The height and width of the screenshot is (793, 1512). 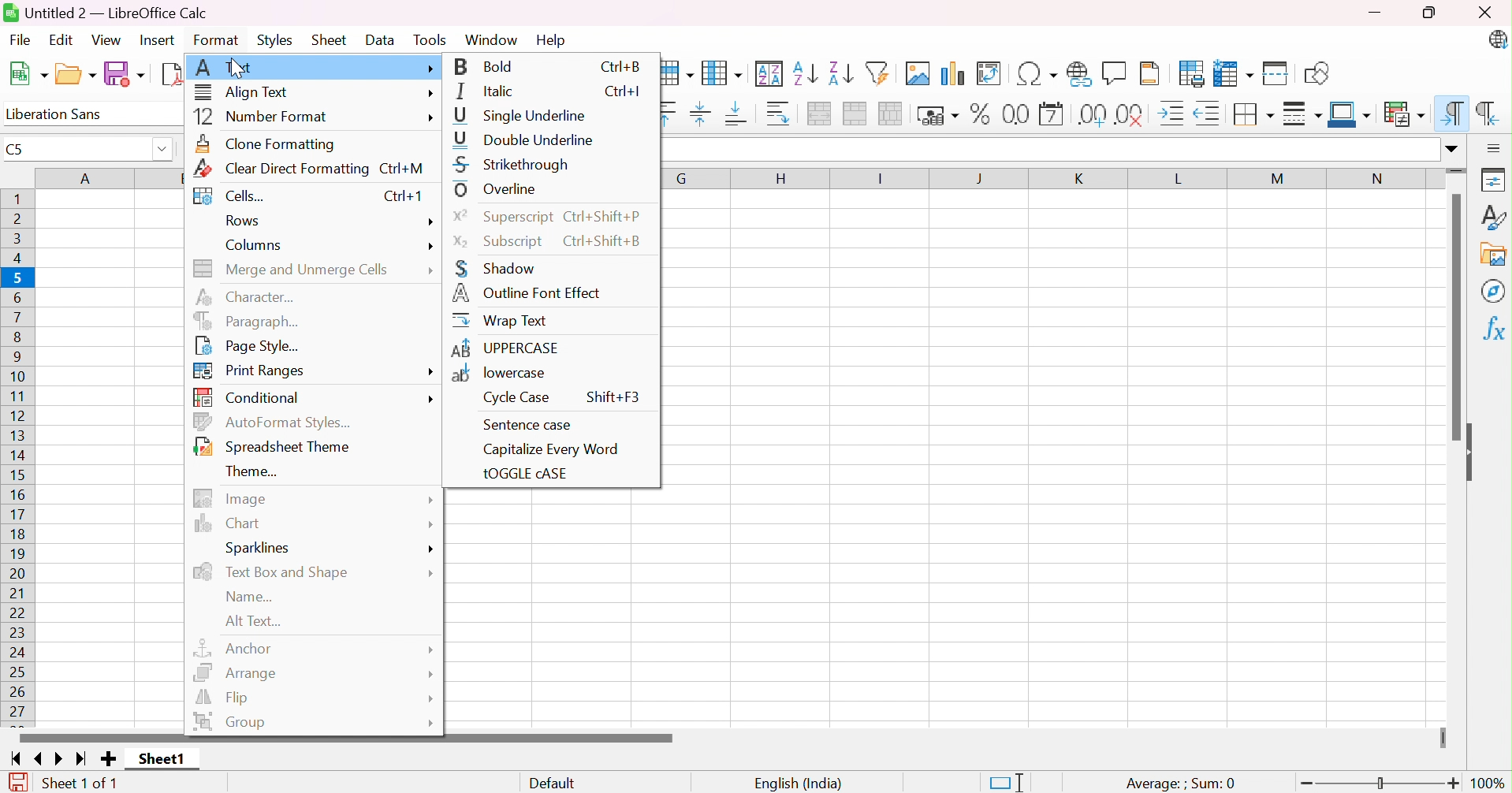 I want to click on Split Window, so click(x=1278, y=72).